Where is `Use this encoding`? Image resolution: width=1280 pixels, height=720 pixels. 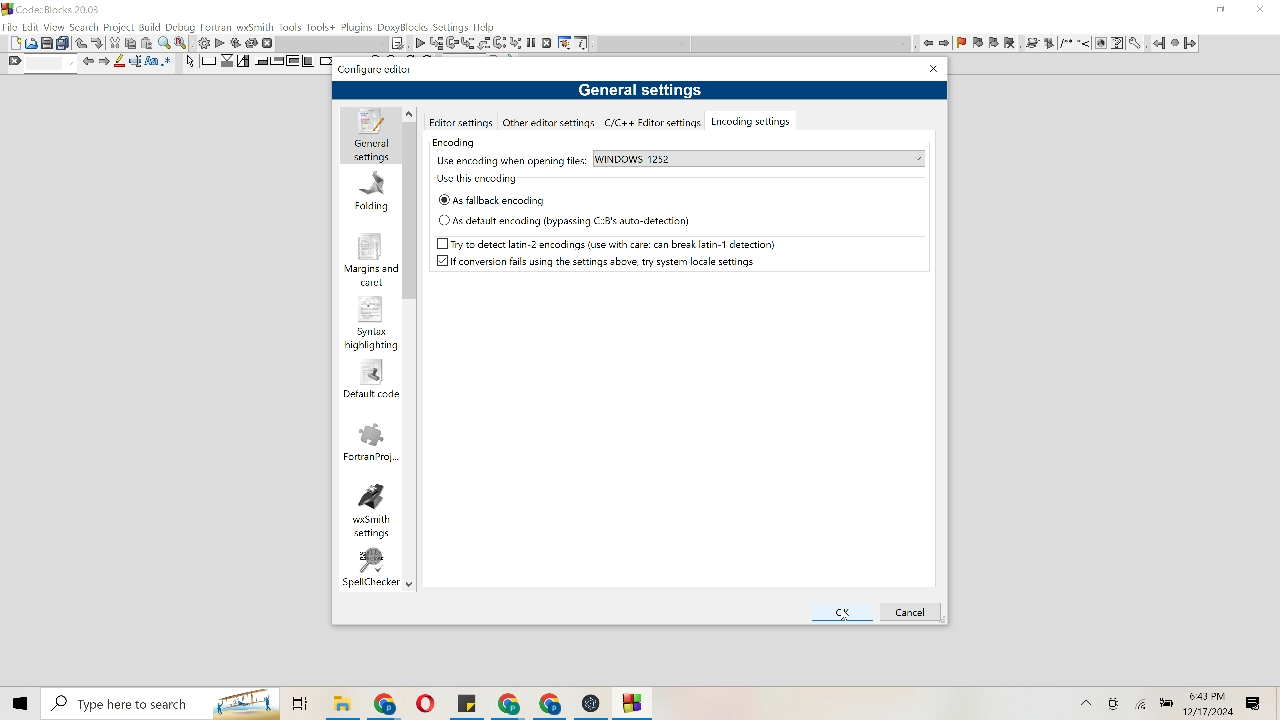 Use this encoding is located at coordinates (478, 179).